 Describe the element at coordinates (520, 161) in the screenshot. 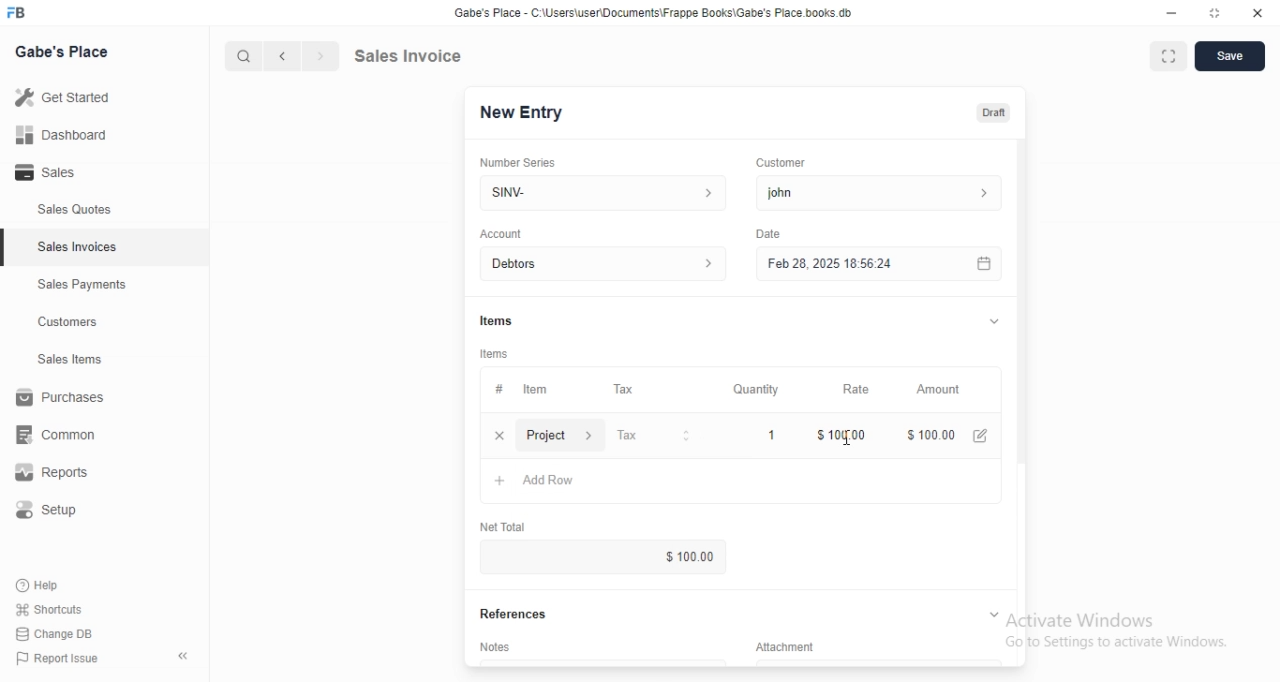

I see `‘Number Series.` at that location.